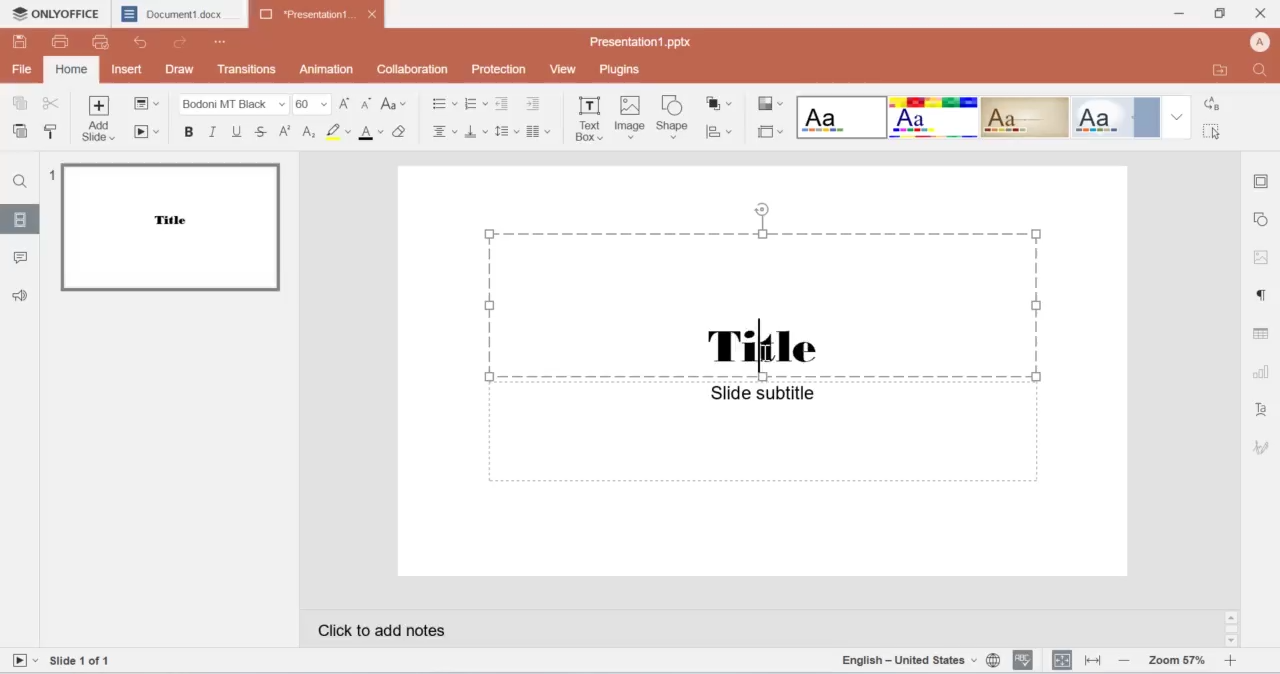  What do you see at coordinates (1262, 41) in the screenshot?
I see `account` at bounding box center [1262, 41].